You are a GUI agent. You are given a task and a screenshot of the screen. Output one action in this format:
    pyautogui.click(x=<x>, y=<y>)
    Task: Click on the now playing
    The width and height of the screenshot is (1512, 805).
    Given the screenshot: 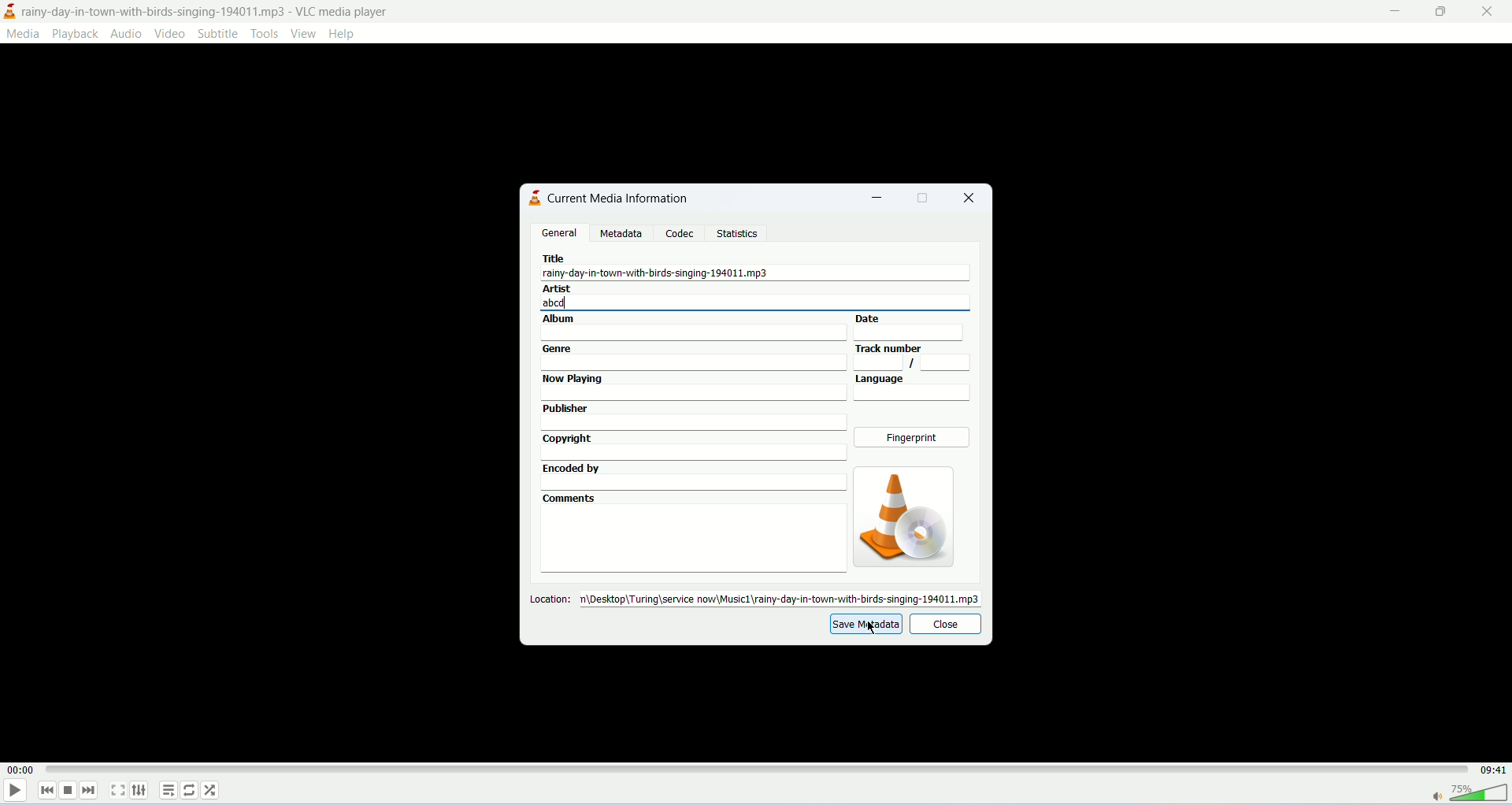 What is the action you would take?
    pyautogui.click(x=694, y=388)
    